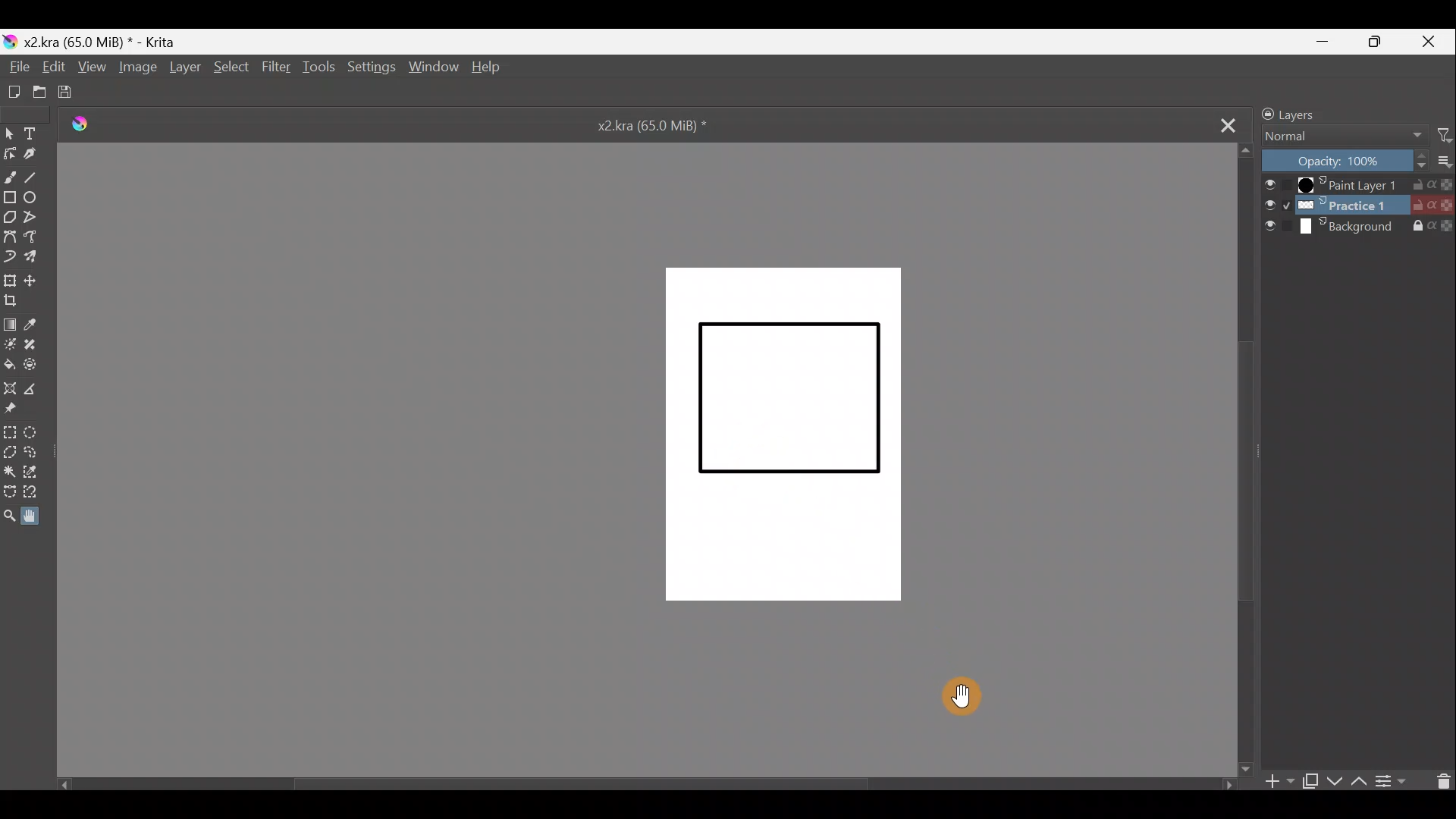 The width and height of the screenshot is (1456, 819). Describe the element at coordinates (1393, 781) in the screenshot. I see `View/change layer properties` at that location.